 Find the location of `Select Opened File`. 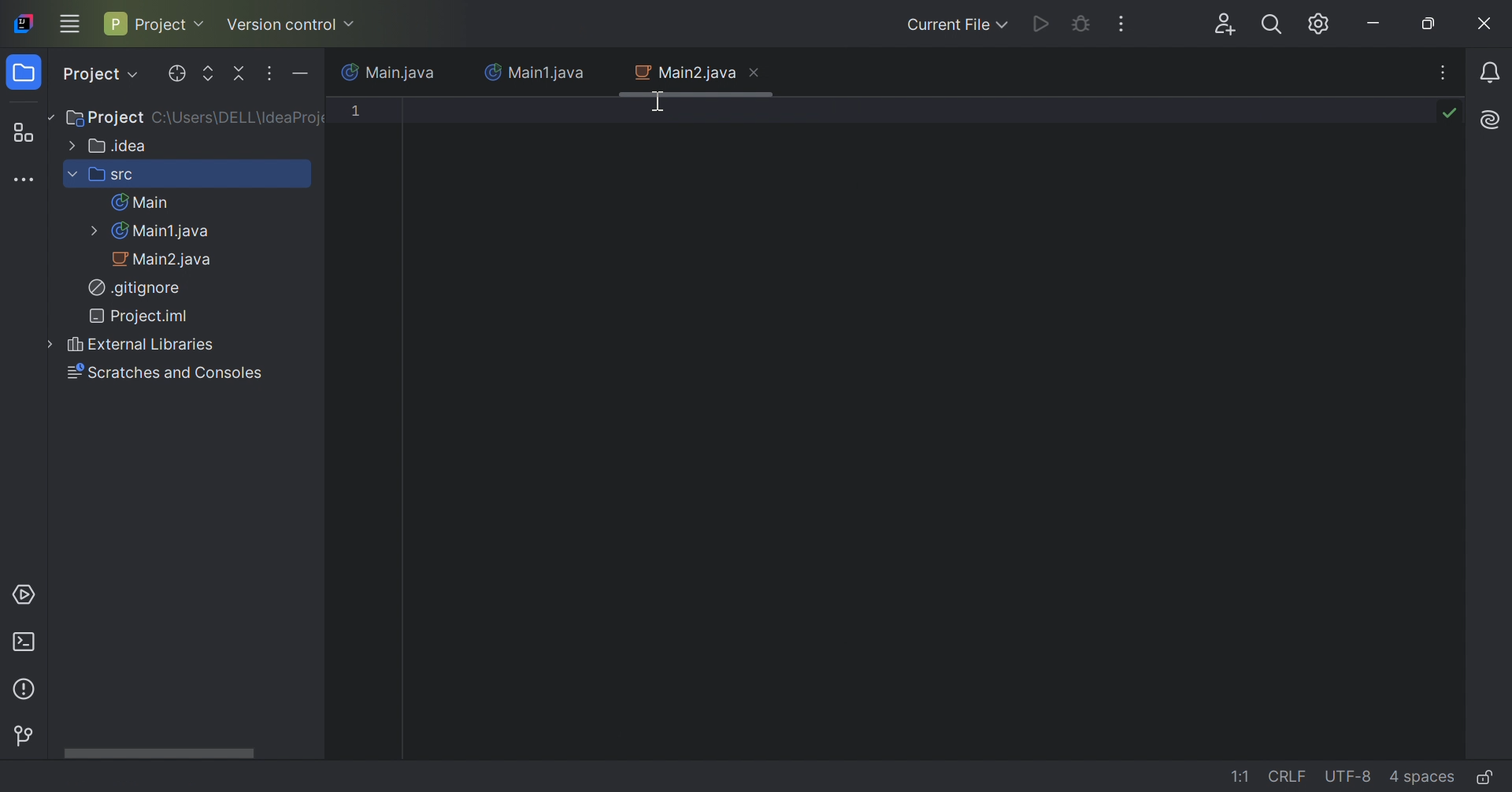

Select Opened File is located at coordinates (176, 72).